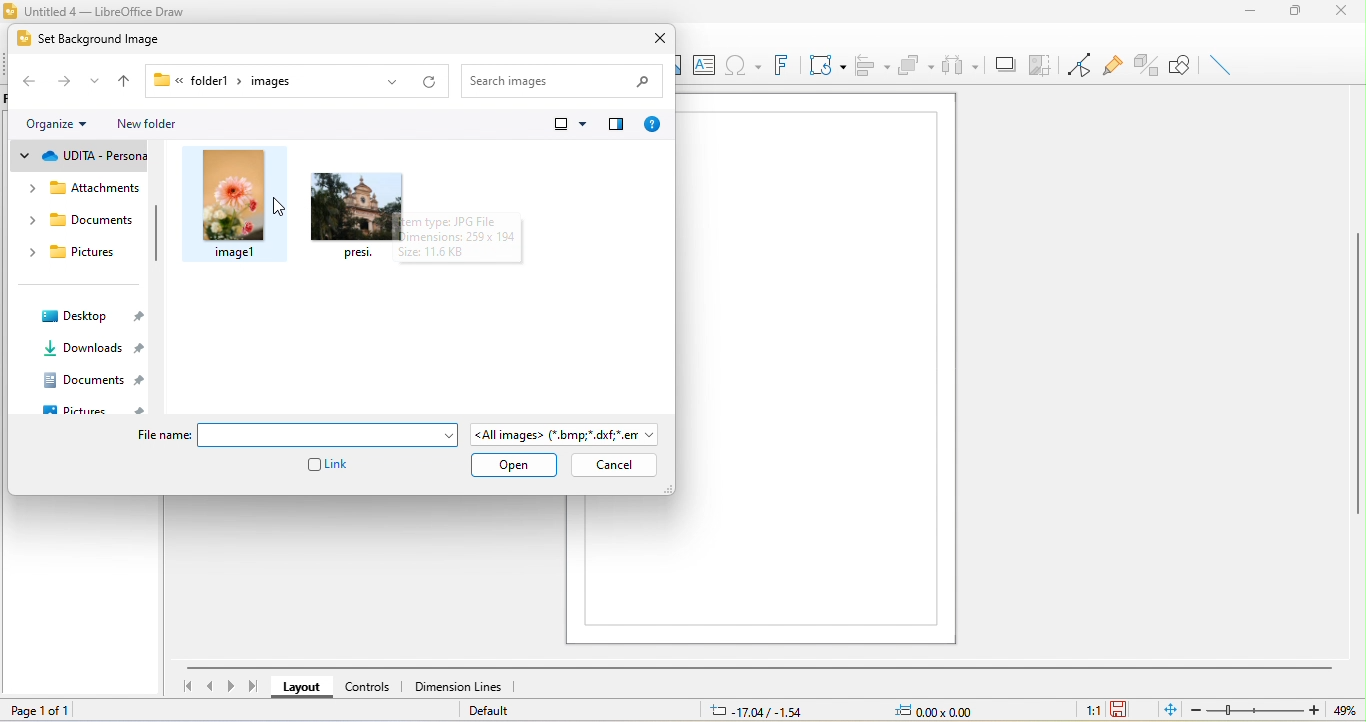 The height and width of the screenshot is (722, 1366). I want to click on help, so click(652, 129).